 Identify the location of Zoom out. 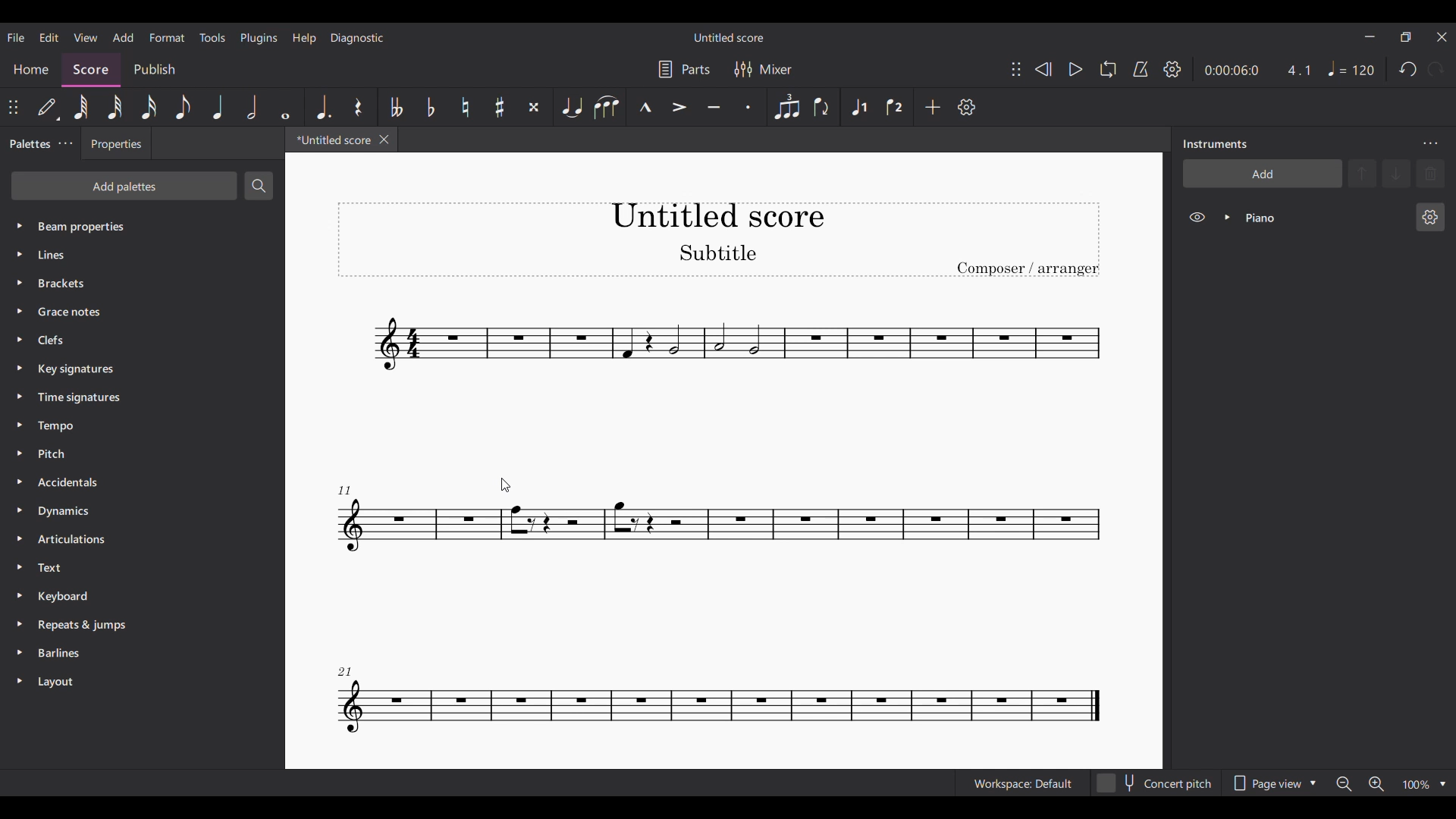
(1345, 784).